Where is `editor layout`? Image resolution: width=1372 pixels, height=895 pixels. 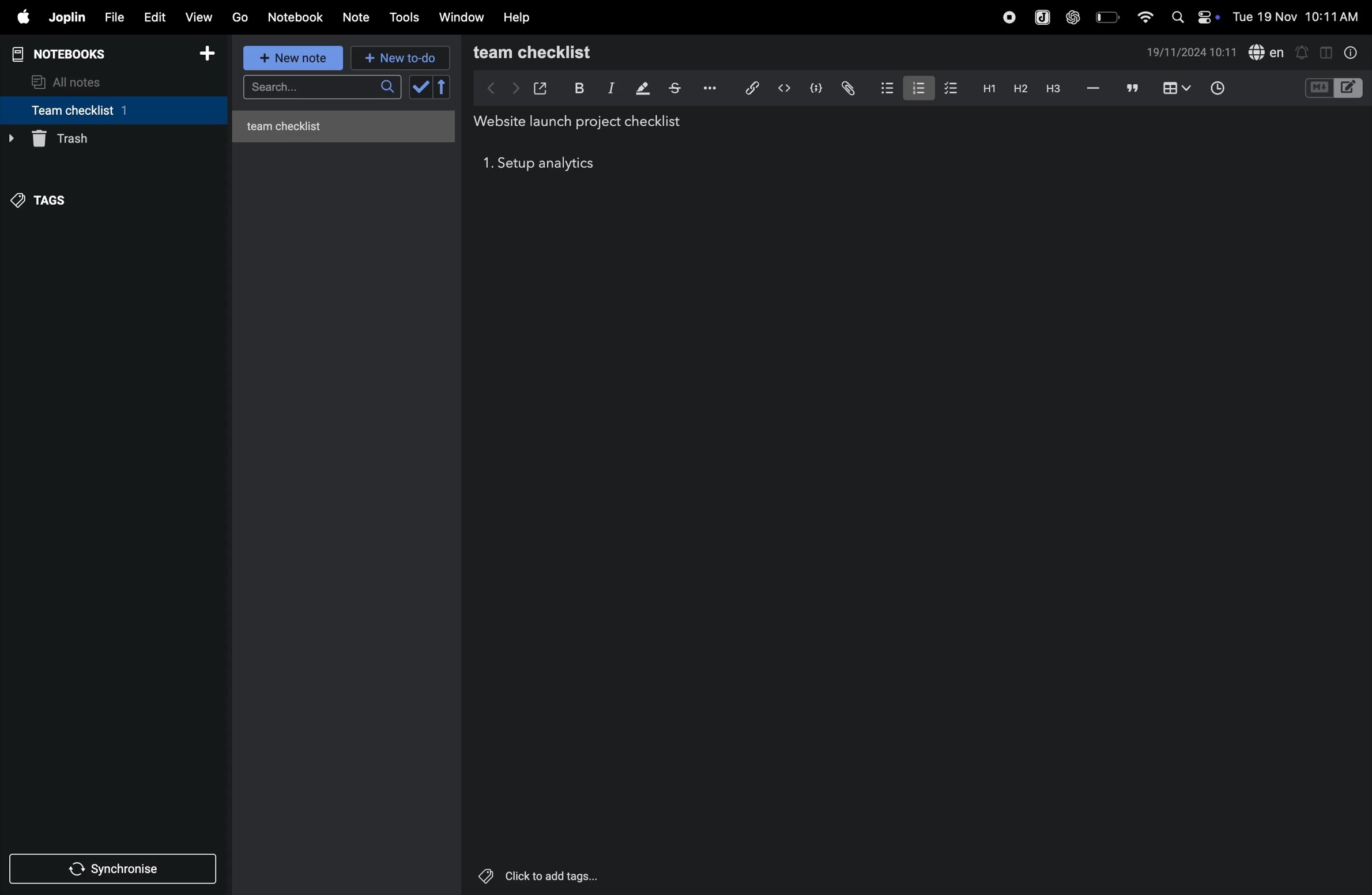
editor layout is located at coordinates (1350, 87).